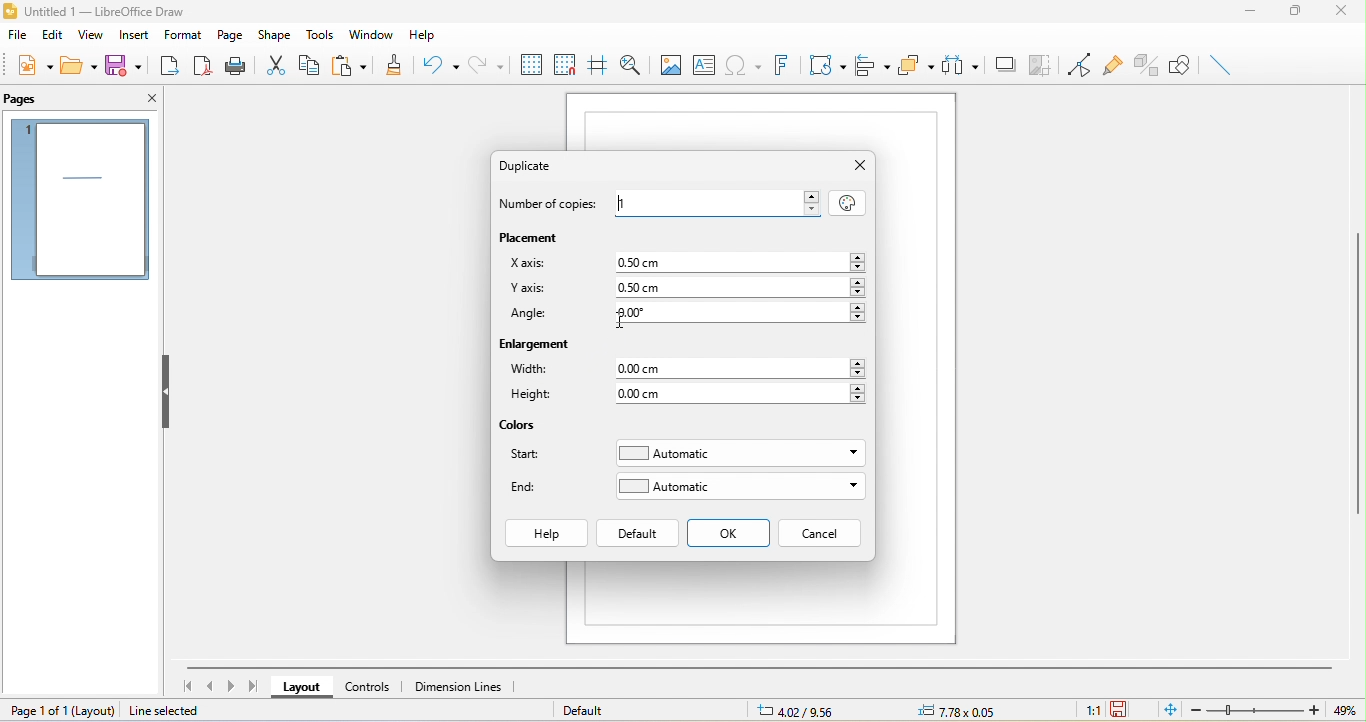 The image size is (1366, 722). What do you see at coordinates (1111, 62) in the screenshot?
I see `gluepoint function` at bounding box center [1111, 62].